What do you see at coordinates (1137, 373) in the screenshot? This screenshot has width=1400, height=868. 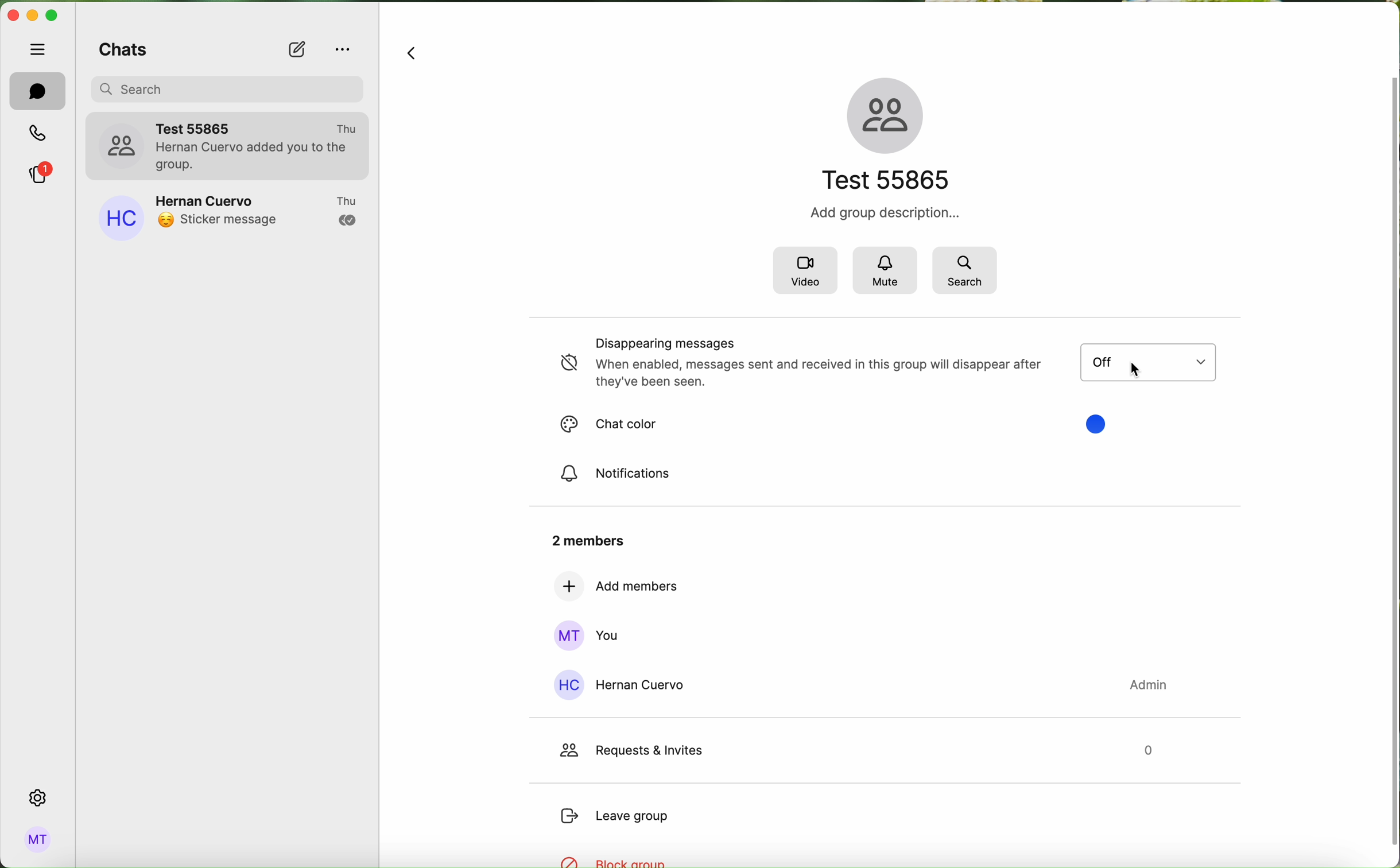 I see `cursor` at bounding box center [1137, 373].